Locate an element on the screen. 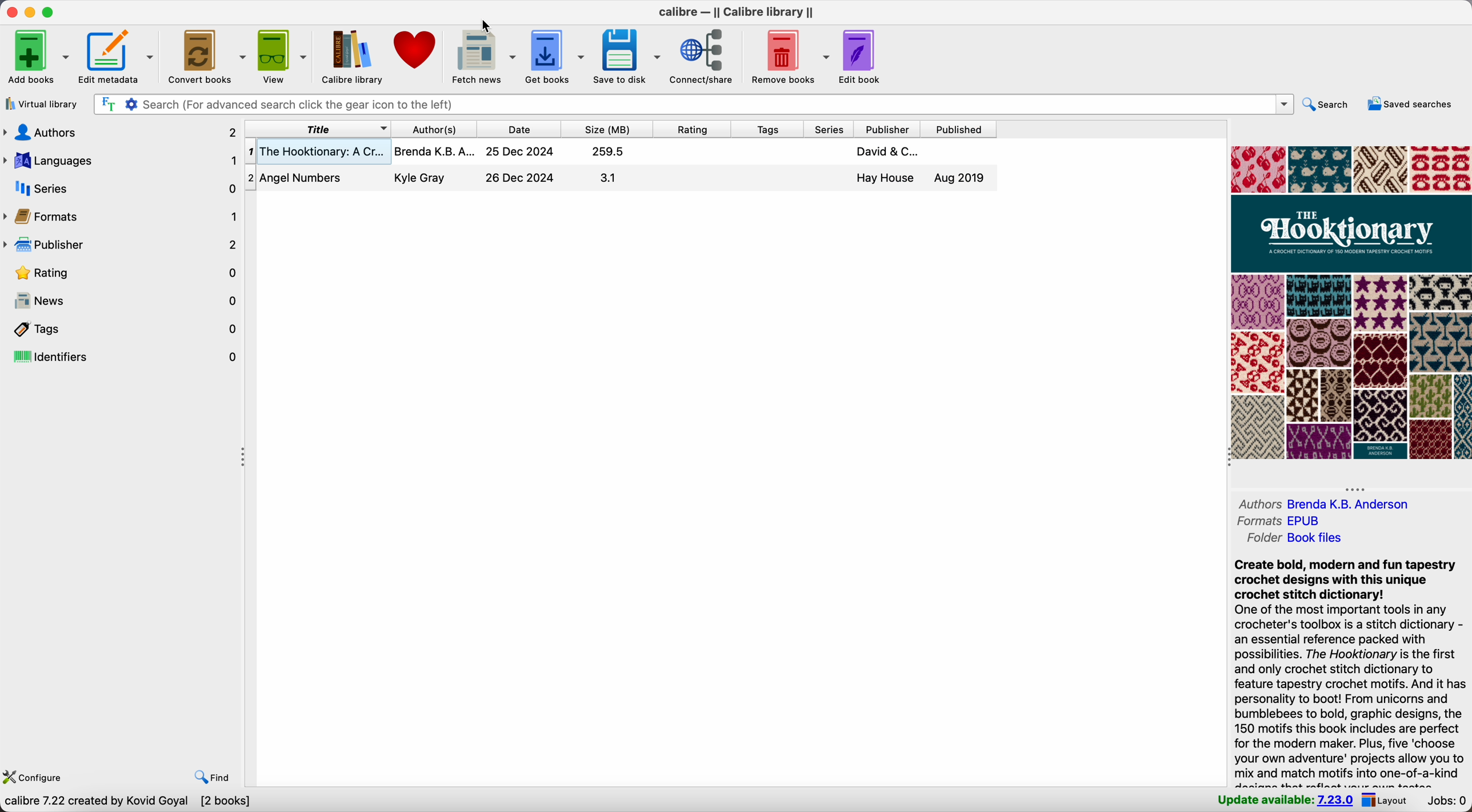 The image size is (1472, 812). search is located at coordinates (1327, 107).